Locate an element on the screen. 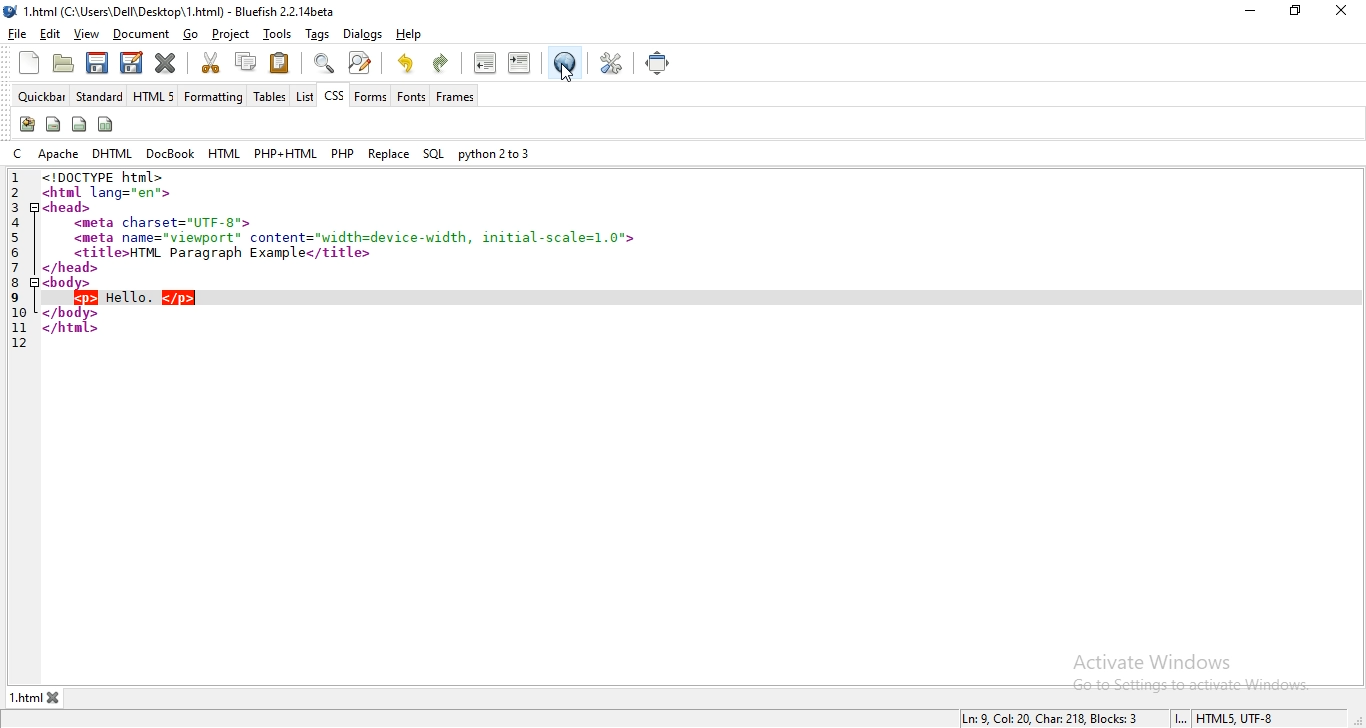  </body> is located at coordinates (71, 313).